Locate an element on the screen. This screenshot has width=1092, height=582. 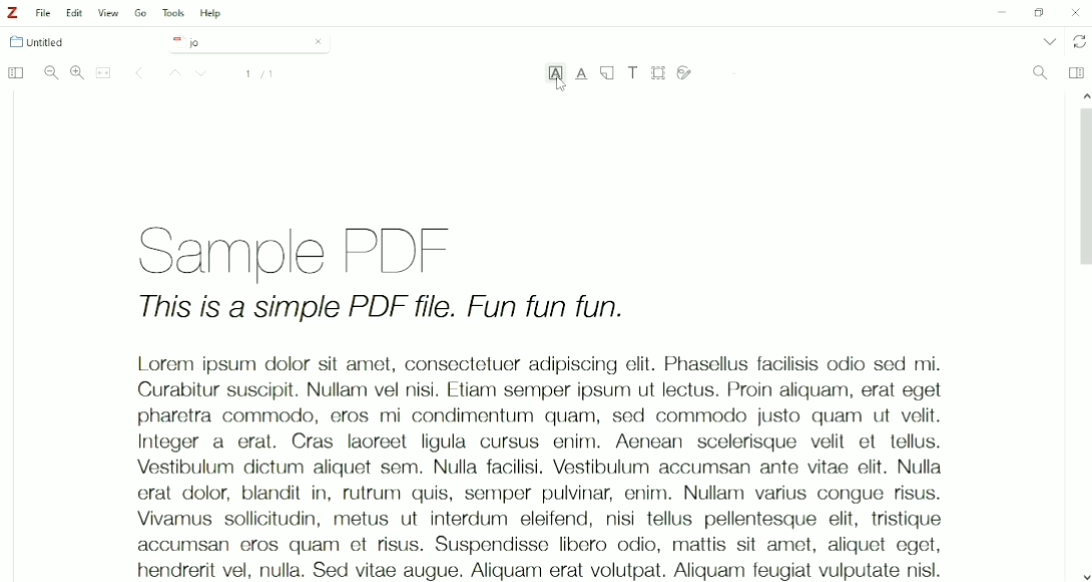
Up is located at coordinates (172, 74).